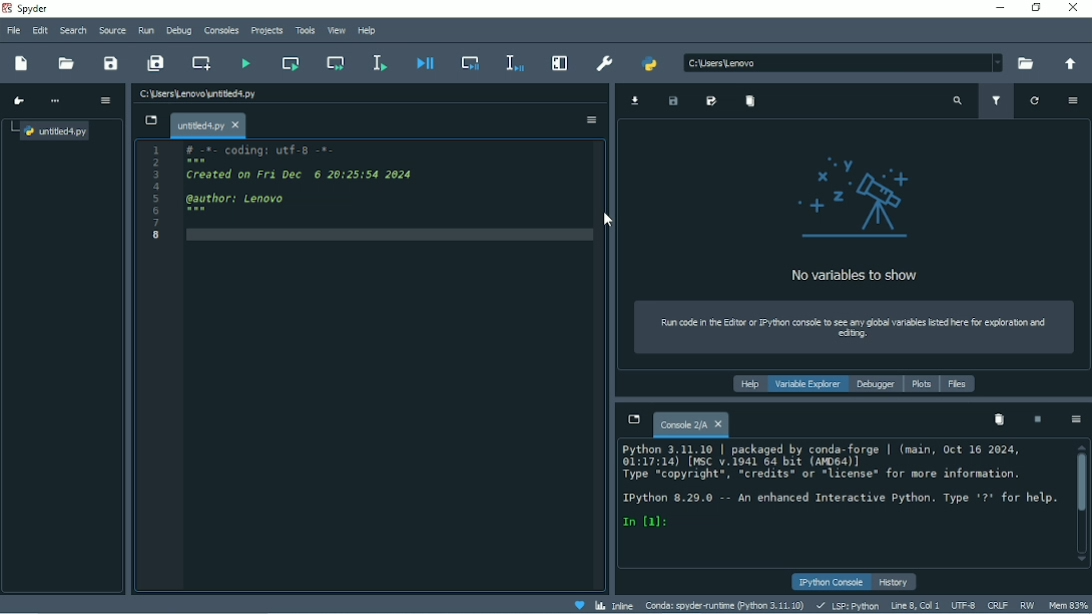 The image size is (1092, 614). I want to click on Filter variables, so click(996, 101).